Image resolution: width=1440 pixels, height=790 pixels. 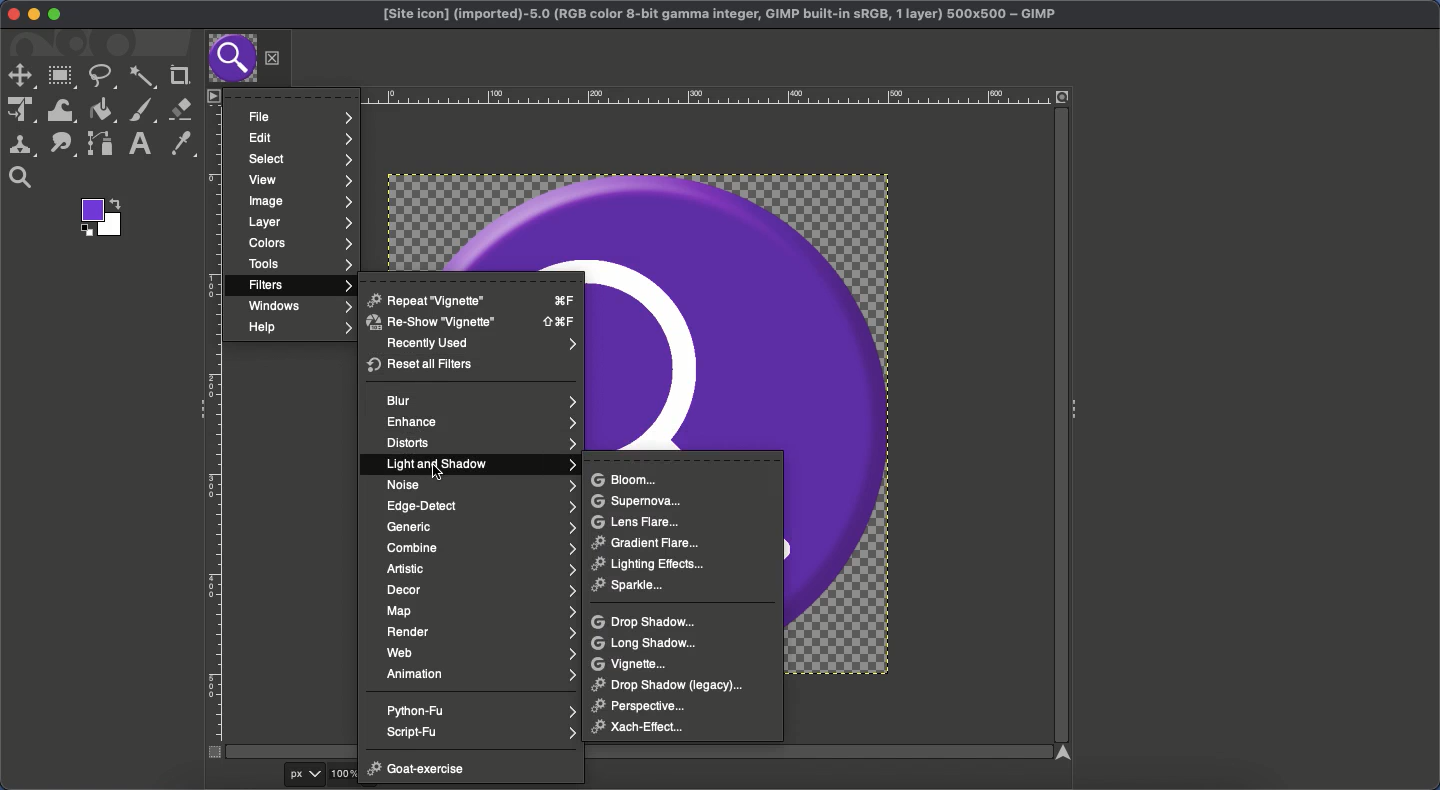 I want to click on Perspective, so click(x=646, y=706).